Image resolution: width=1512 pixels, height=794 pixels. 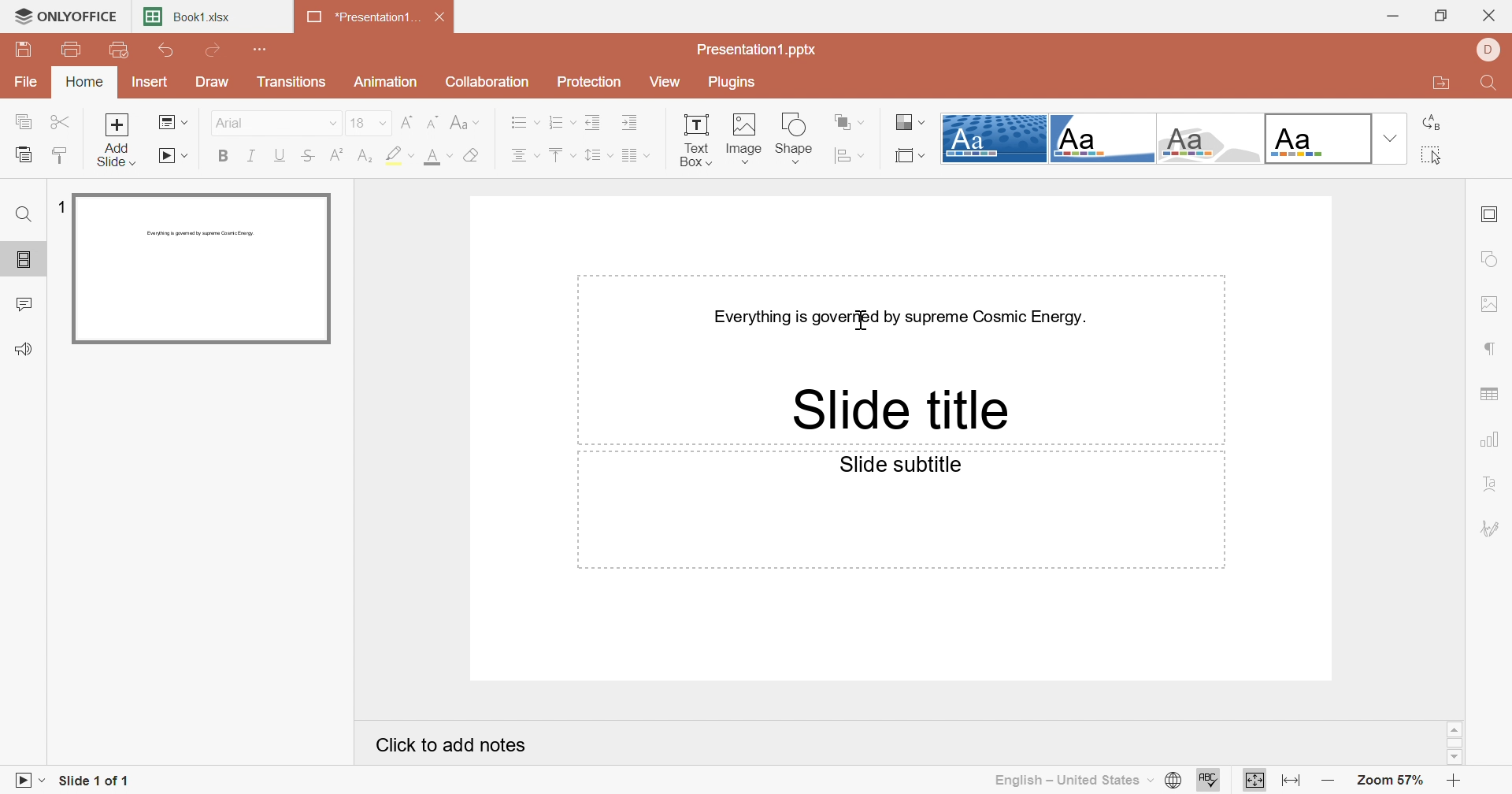 I want to click on DELL, so click(x=1488, y=50).